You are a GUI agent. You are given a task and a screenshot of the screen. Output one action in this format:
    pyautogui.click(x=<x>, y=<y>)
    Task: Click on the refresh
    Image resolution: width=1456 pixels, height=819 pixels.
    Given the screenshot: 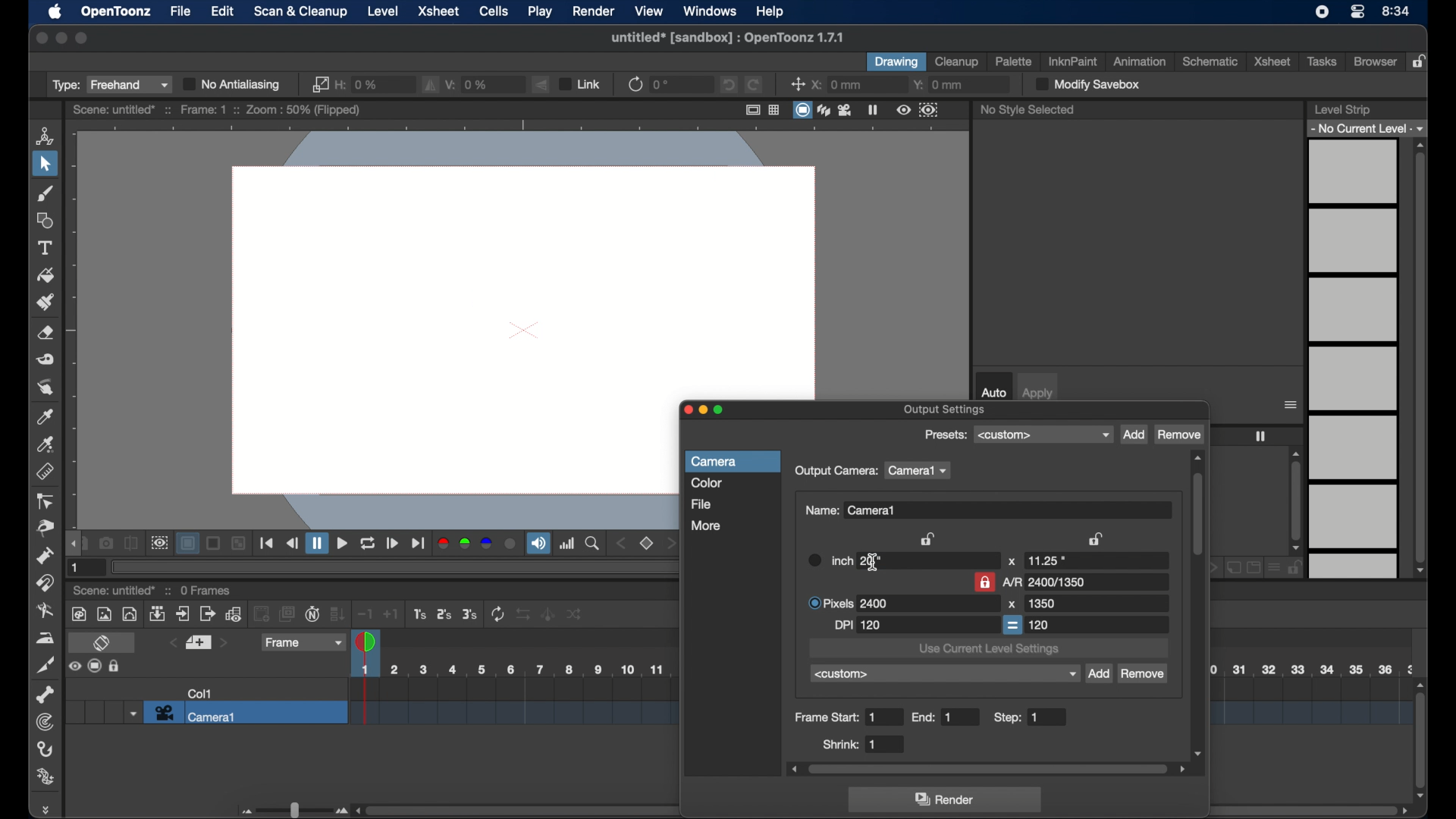 What is the action you would take?
    pyautogui.click(x=634, y=83)
    